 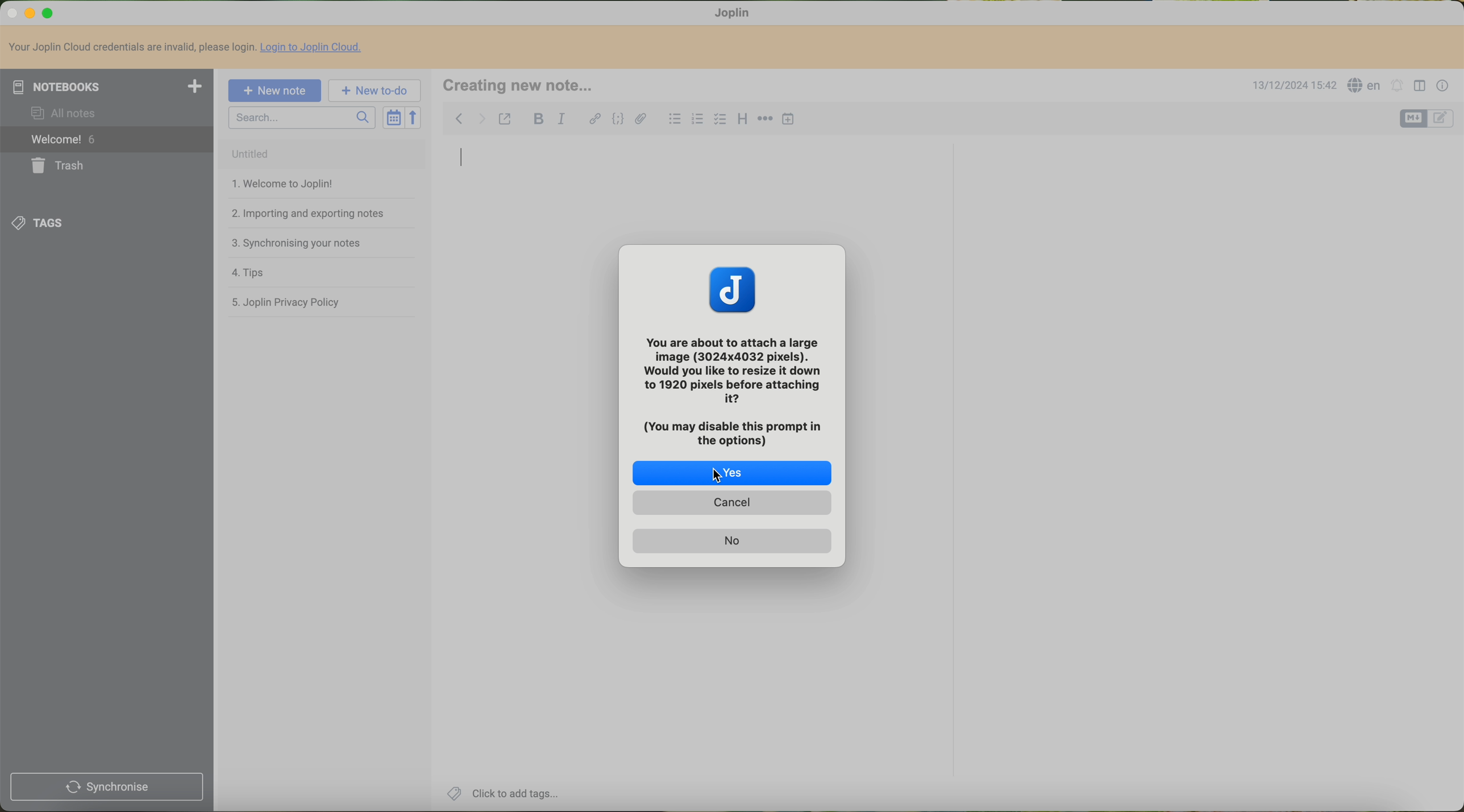 What do you see at coordinates (245, 272) in the screenshot?
I see `tips` at bounding box center [245, 272].